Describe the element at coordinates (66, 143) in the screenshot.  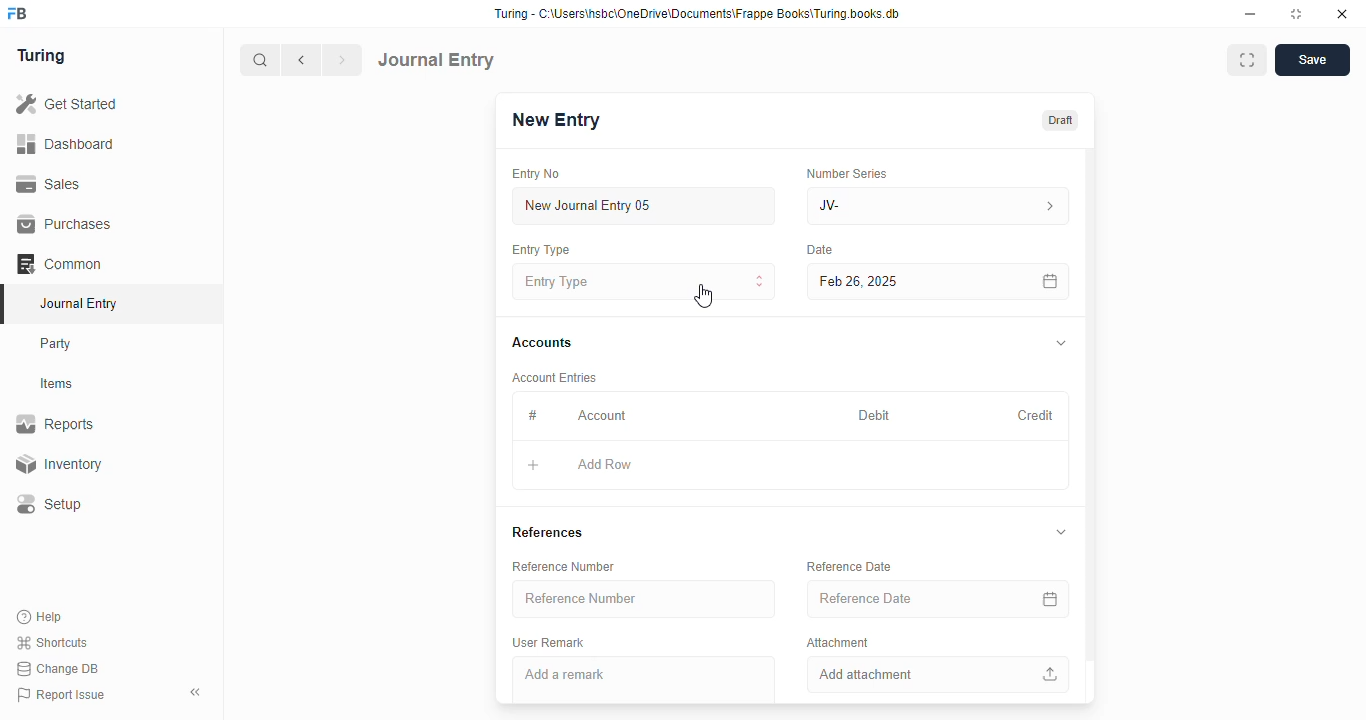
I see `dashboard` at that location.